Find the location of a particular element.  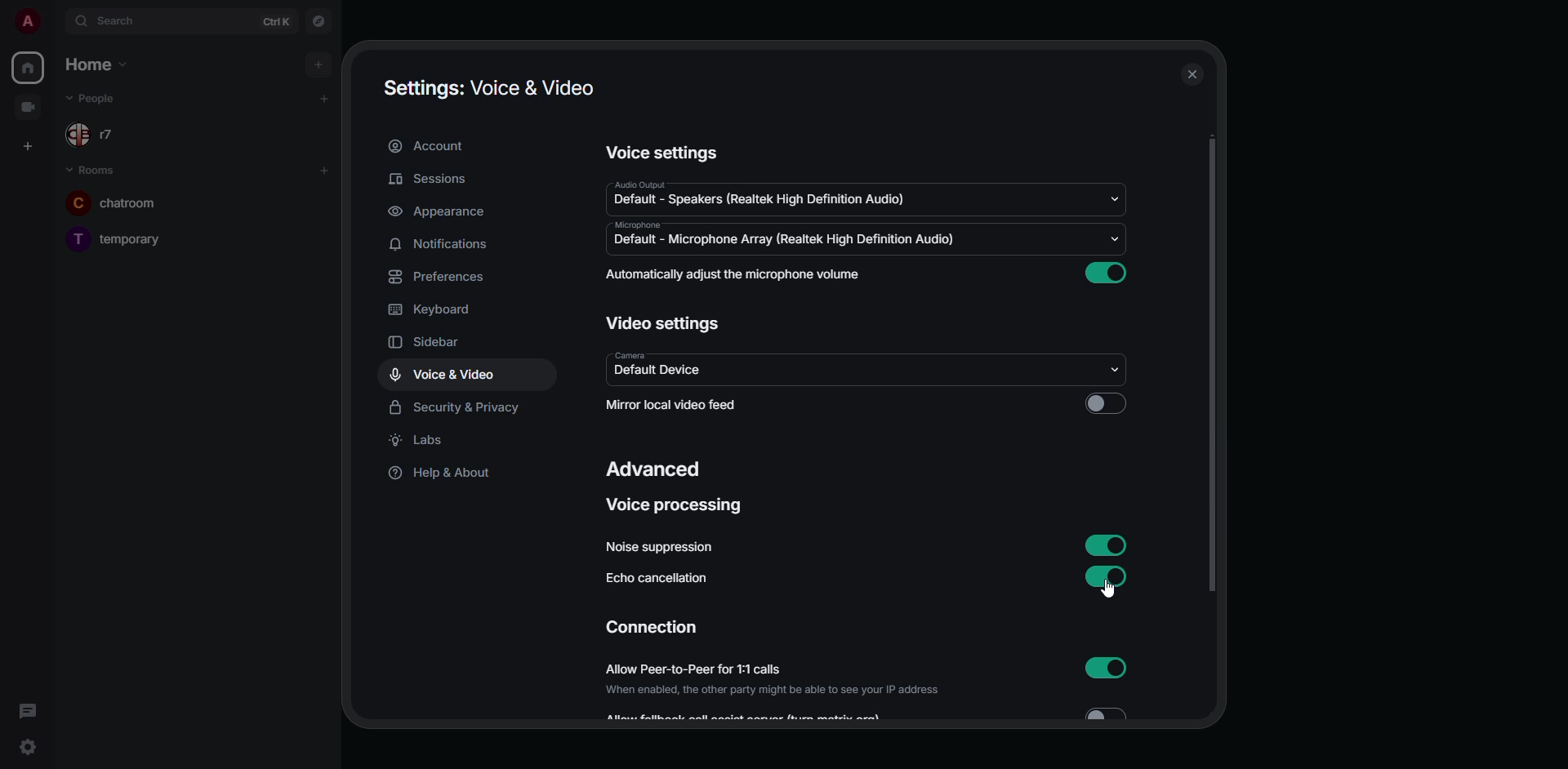

people is located at coordinates (104, 134).